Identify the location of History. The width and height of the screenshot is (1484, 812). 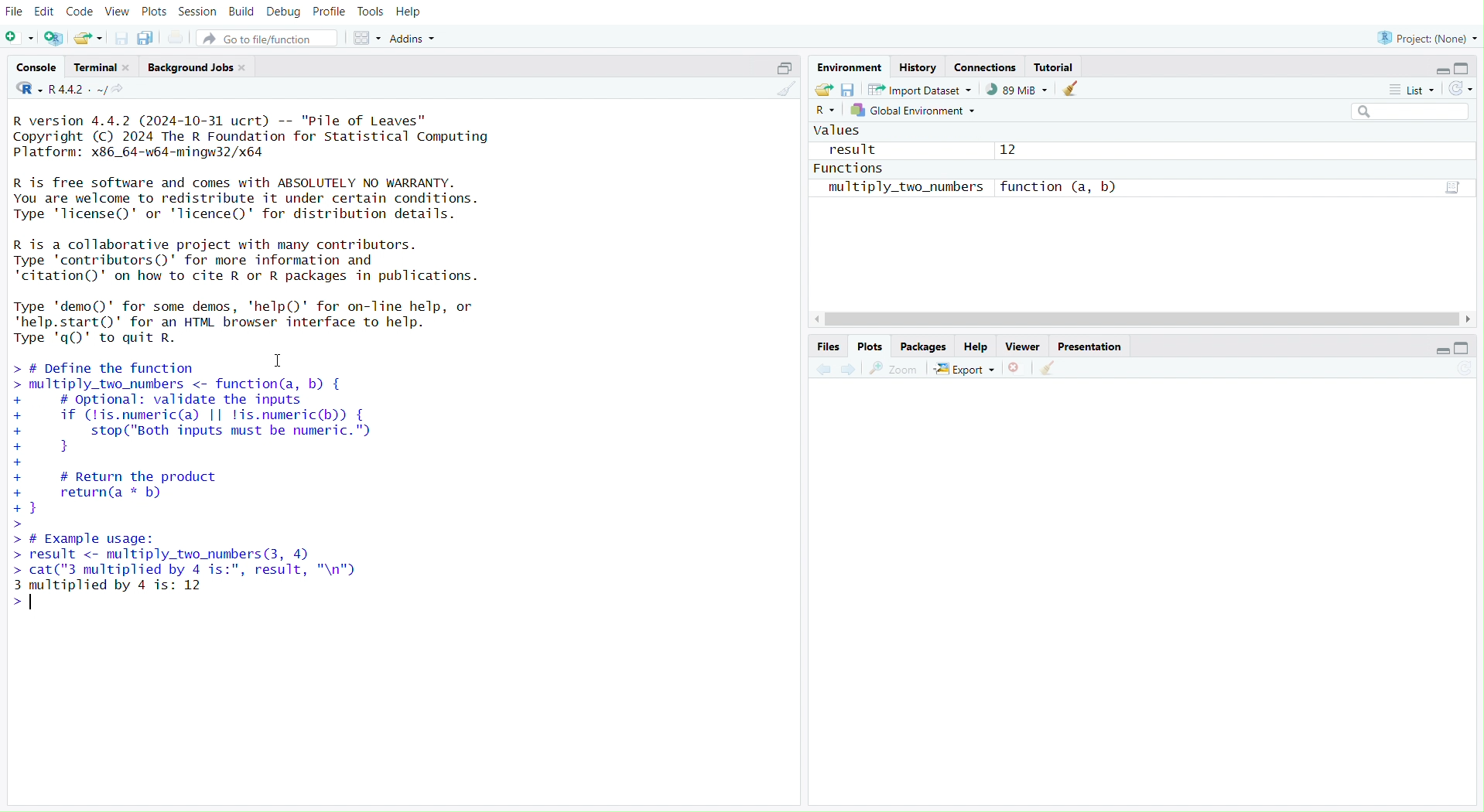
(918, 66).